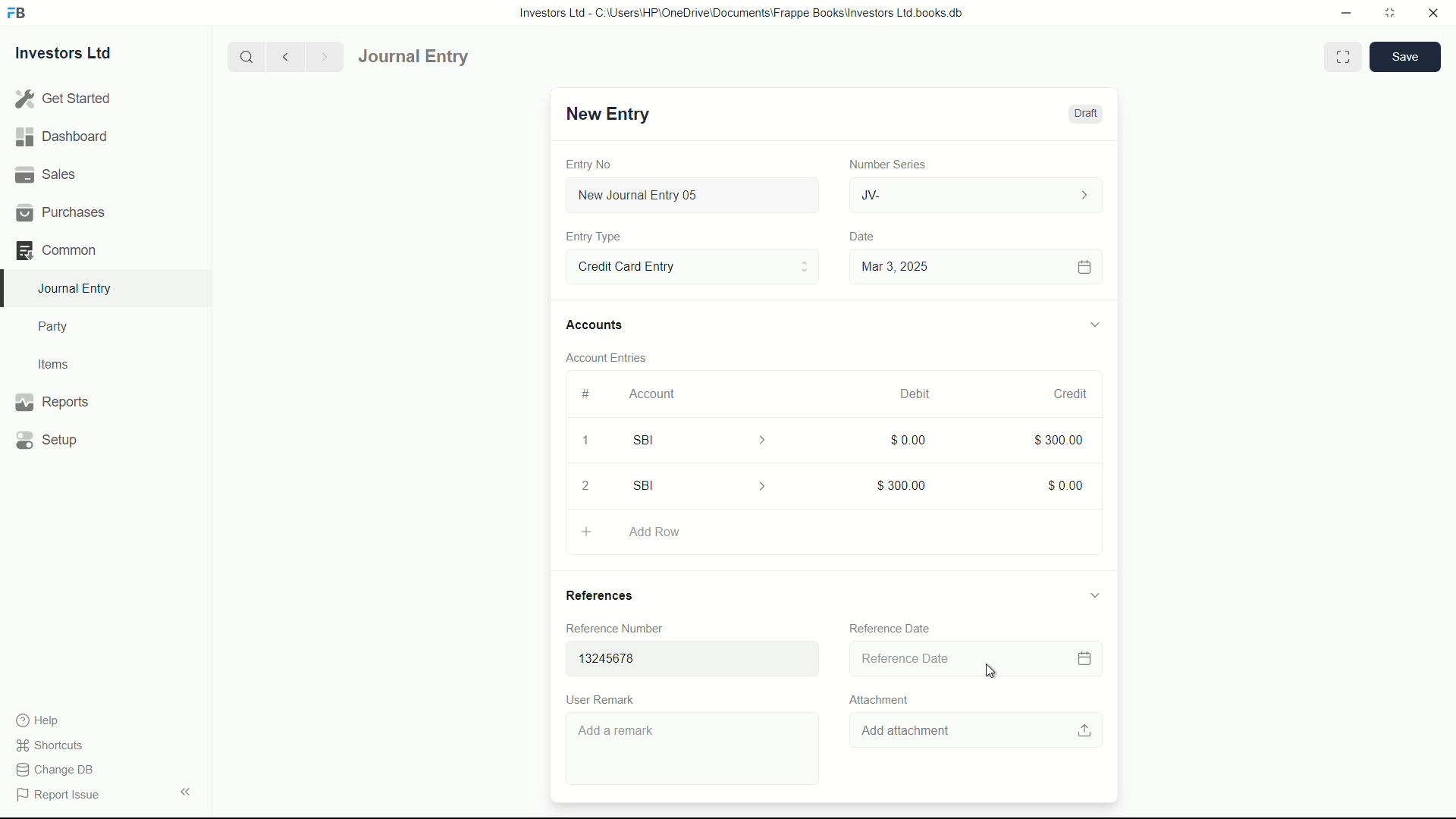 The width and height of the screenshot is (1456, 819). Describe the element at coordinates (977, 731) in the screenshot. I see `Add attachment` at that location.